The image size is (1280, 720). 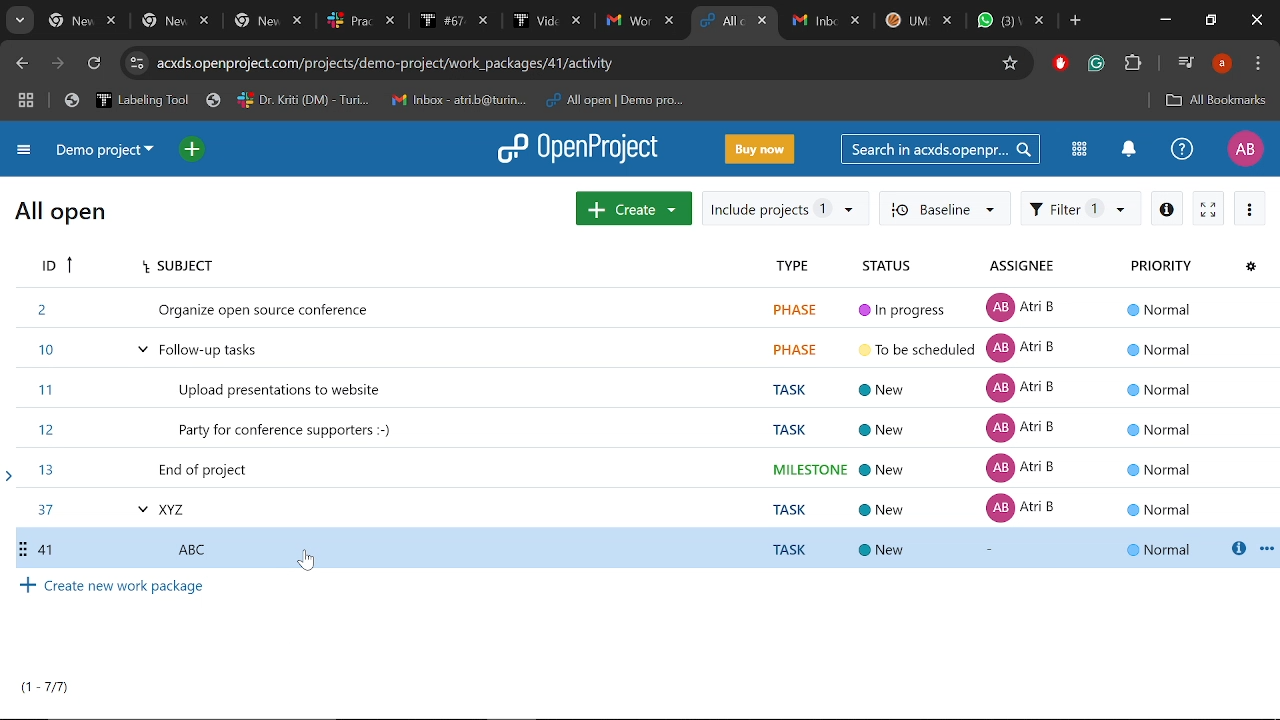 I want to click on Others tabs, so click(x=363, y=21).